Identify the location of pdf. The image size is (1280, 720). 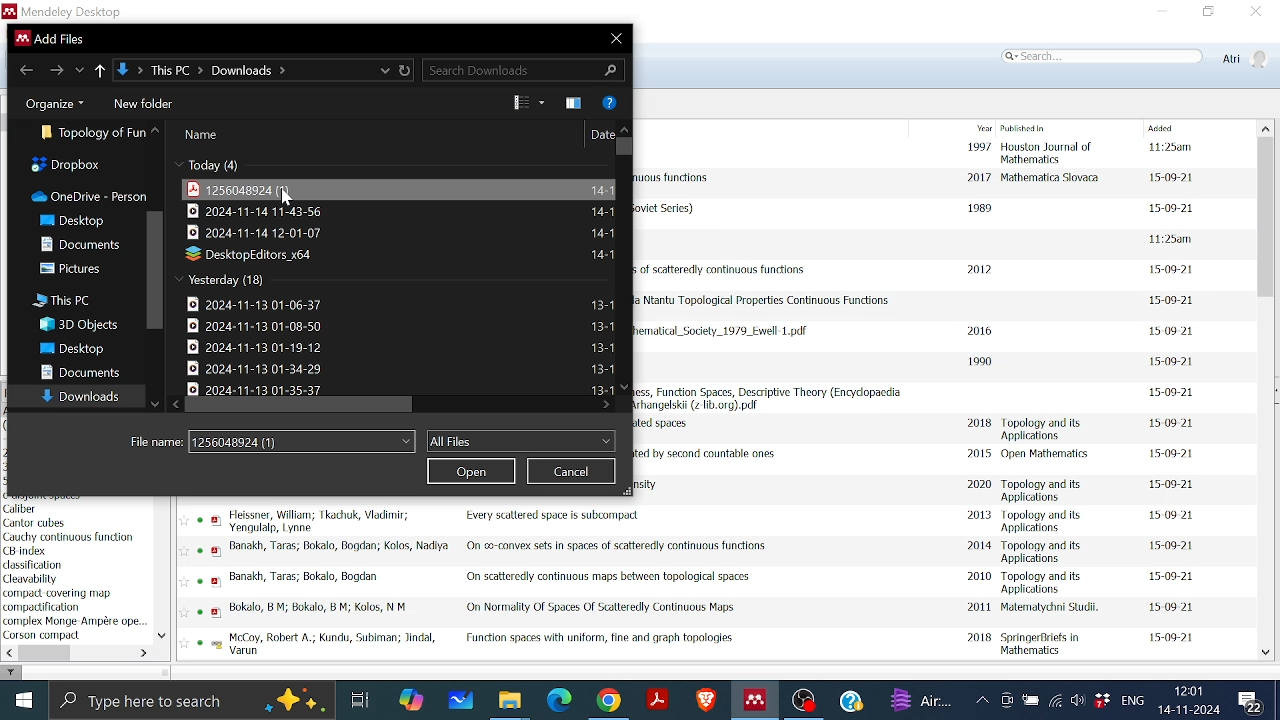
(216, 581).